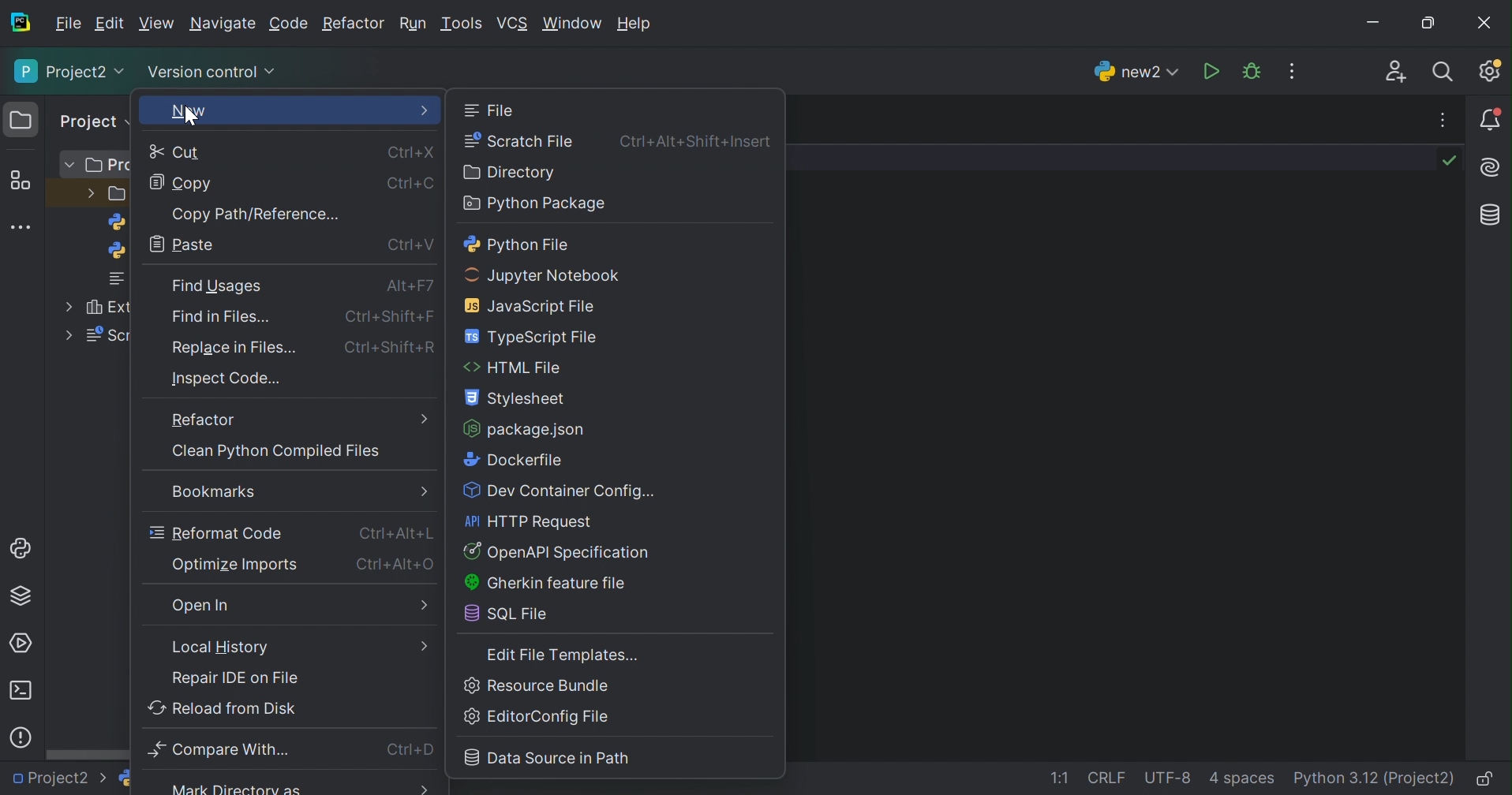 This screenshot has height=795, width=1512. What do you see at coordinates (1057, 778) in the screenshot?
I see `1:1` at bounding box center [1057, 778].